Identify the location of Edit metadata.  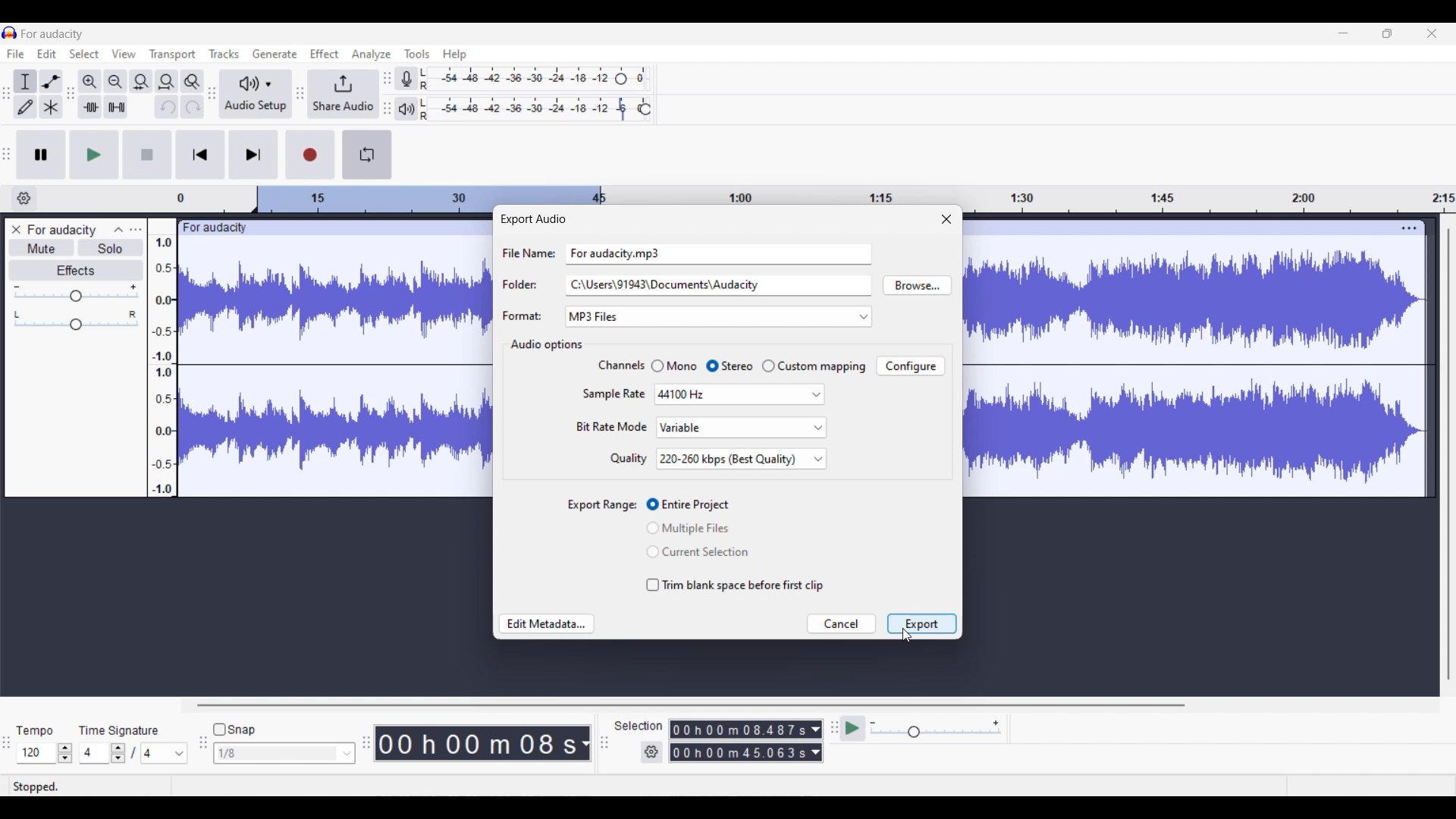
(546, 624).